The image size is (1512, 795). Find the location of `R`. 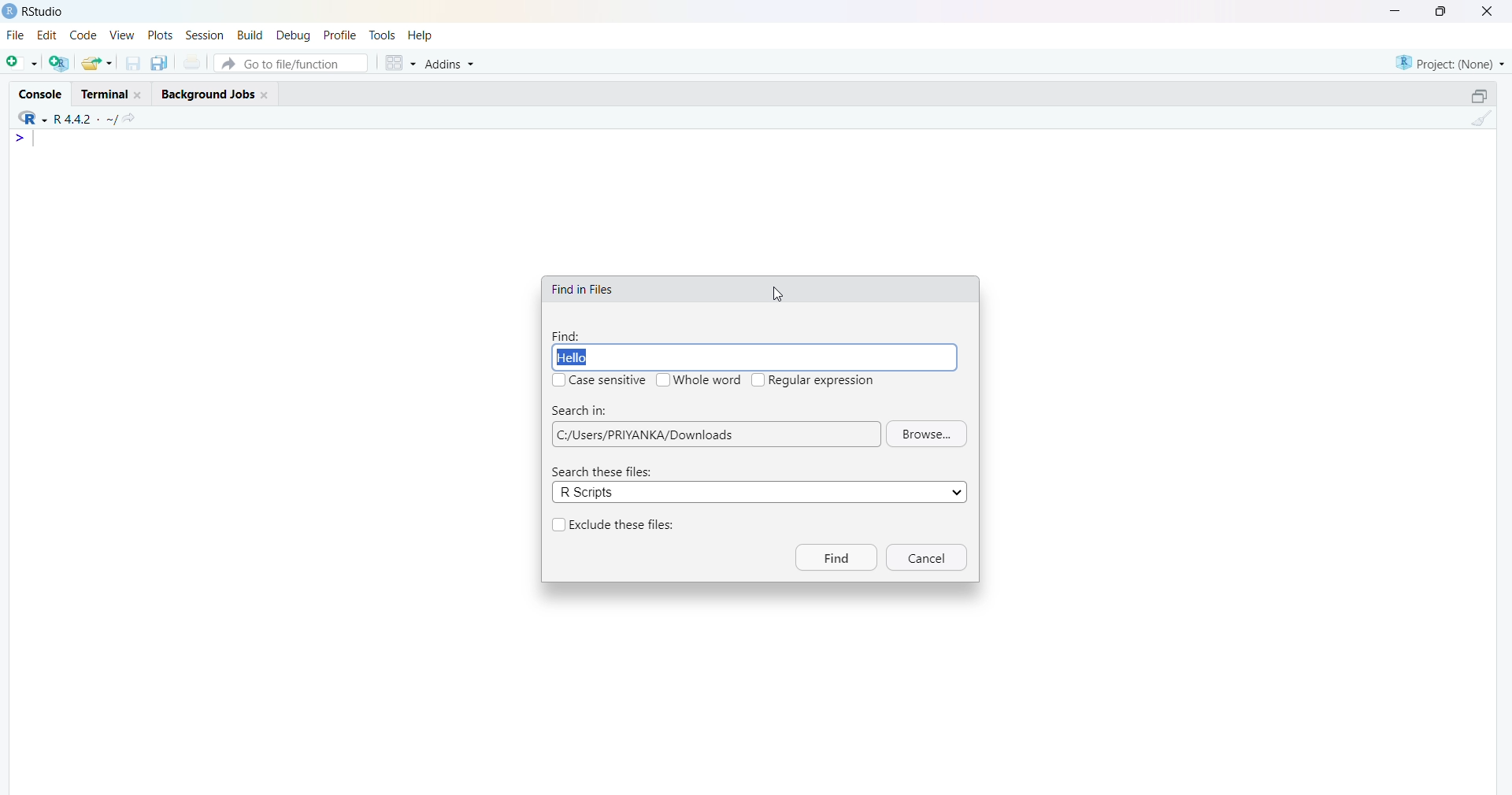

R is located at coordinates (32, 118).